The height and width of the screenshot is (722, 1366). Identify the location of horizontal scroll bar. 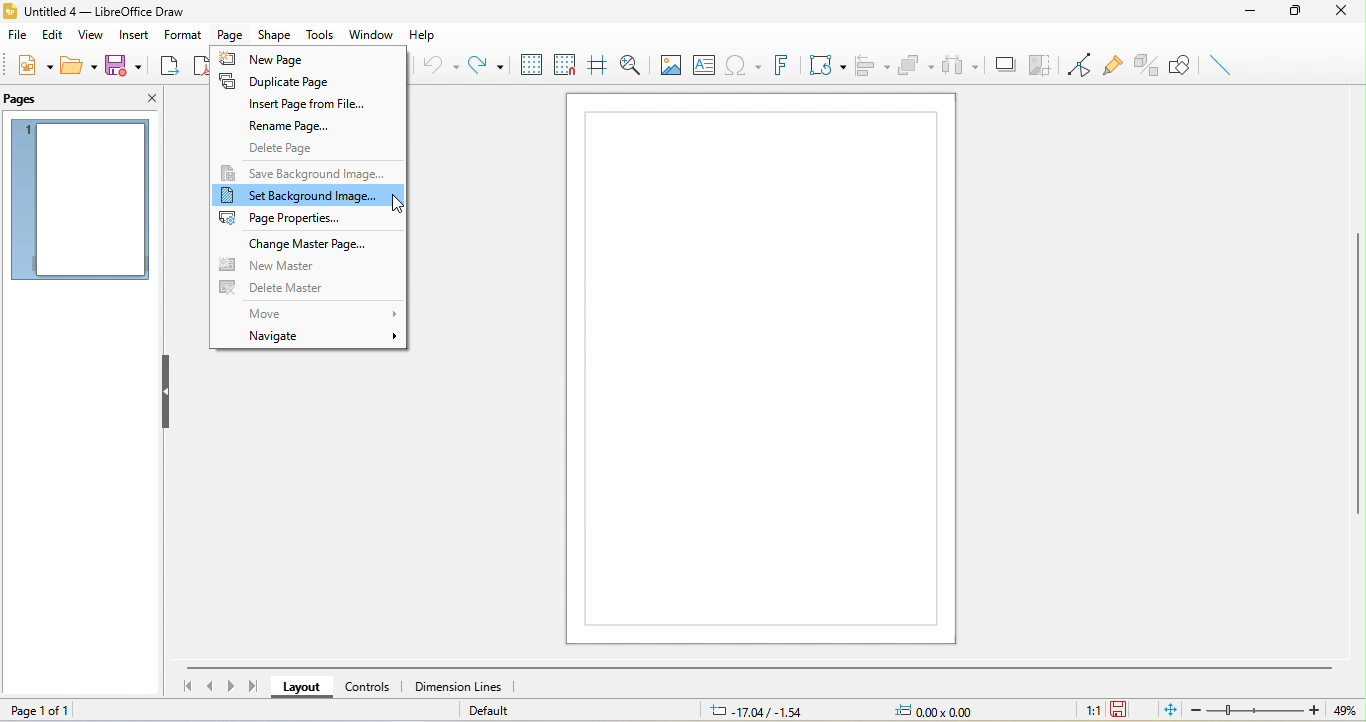
(753, 668).